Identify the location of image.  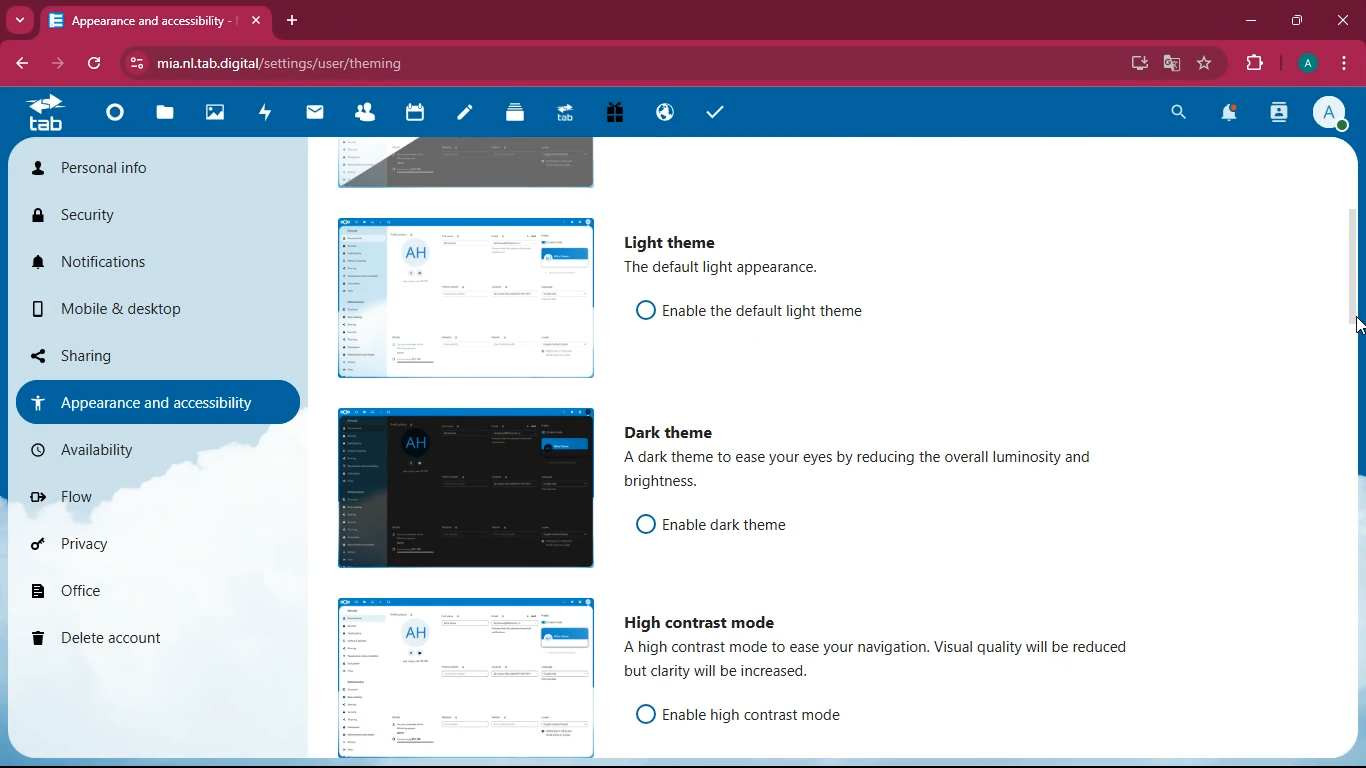
(460, 295).